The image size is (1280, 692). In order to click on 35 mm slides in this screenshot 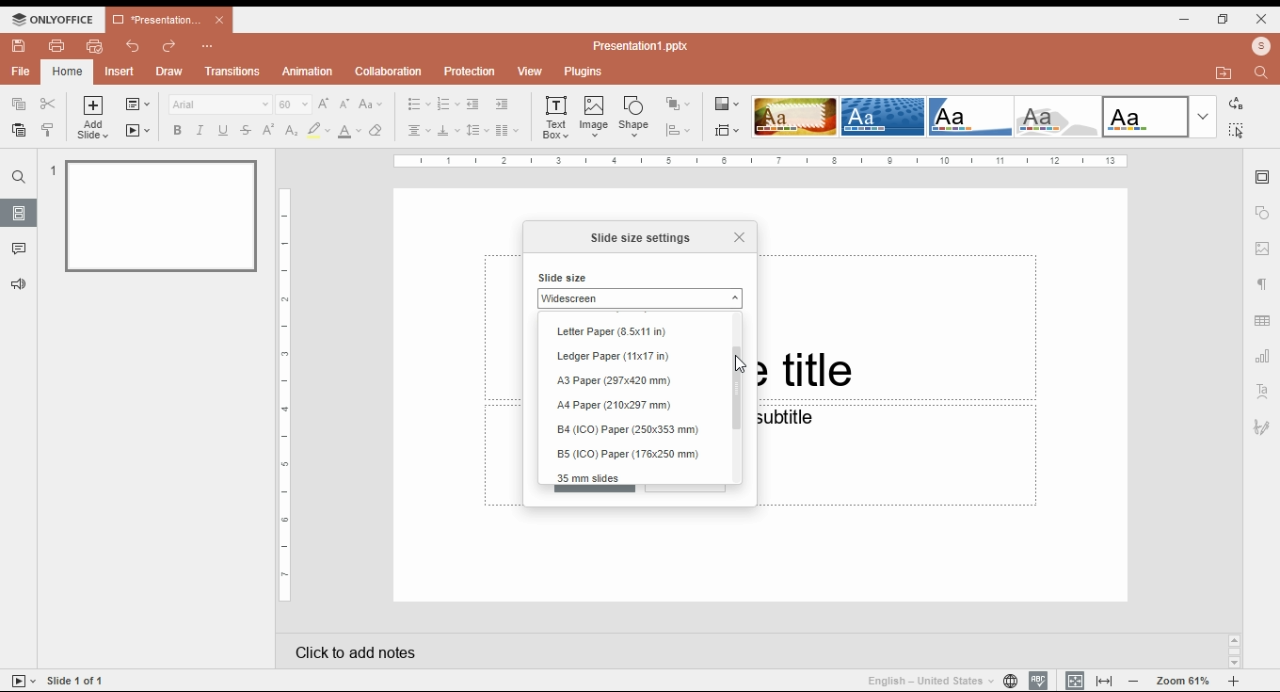, I will do `click(592, 477)`.